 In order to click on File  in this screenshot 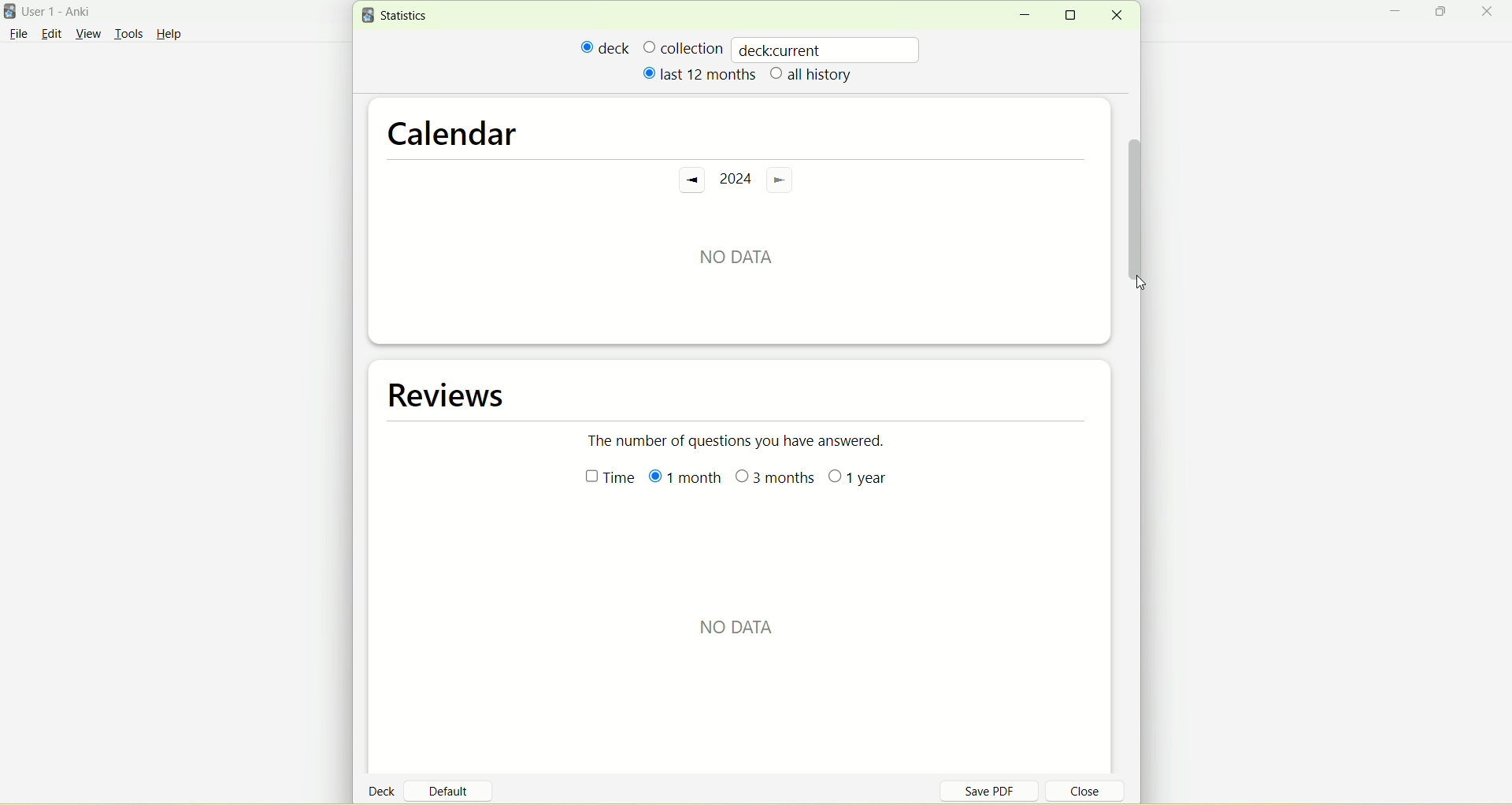, I will do `click(18, 34)`.